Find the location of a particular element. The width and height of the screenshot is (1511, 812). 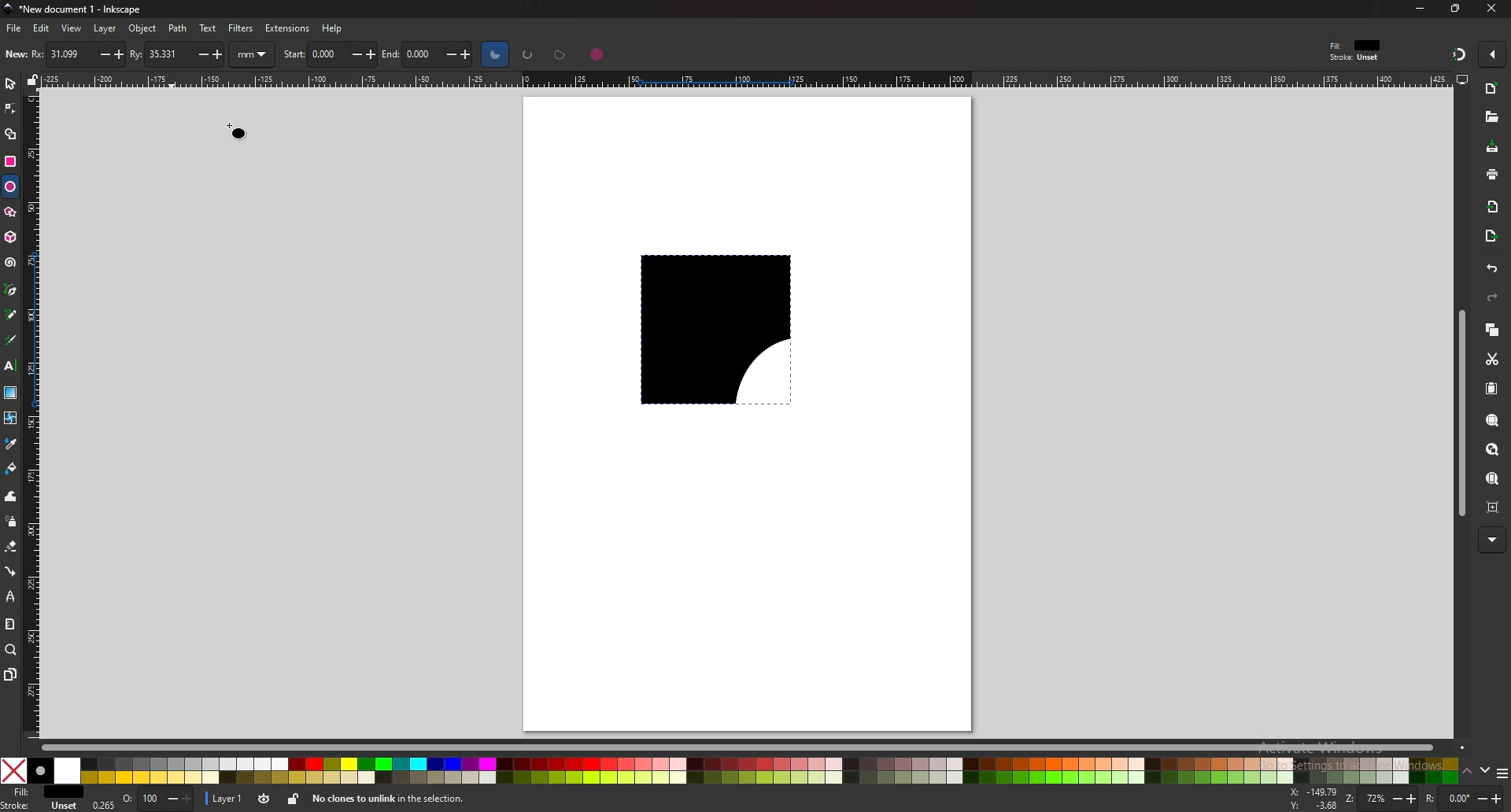

resize is located at coordinates (1455, 9).